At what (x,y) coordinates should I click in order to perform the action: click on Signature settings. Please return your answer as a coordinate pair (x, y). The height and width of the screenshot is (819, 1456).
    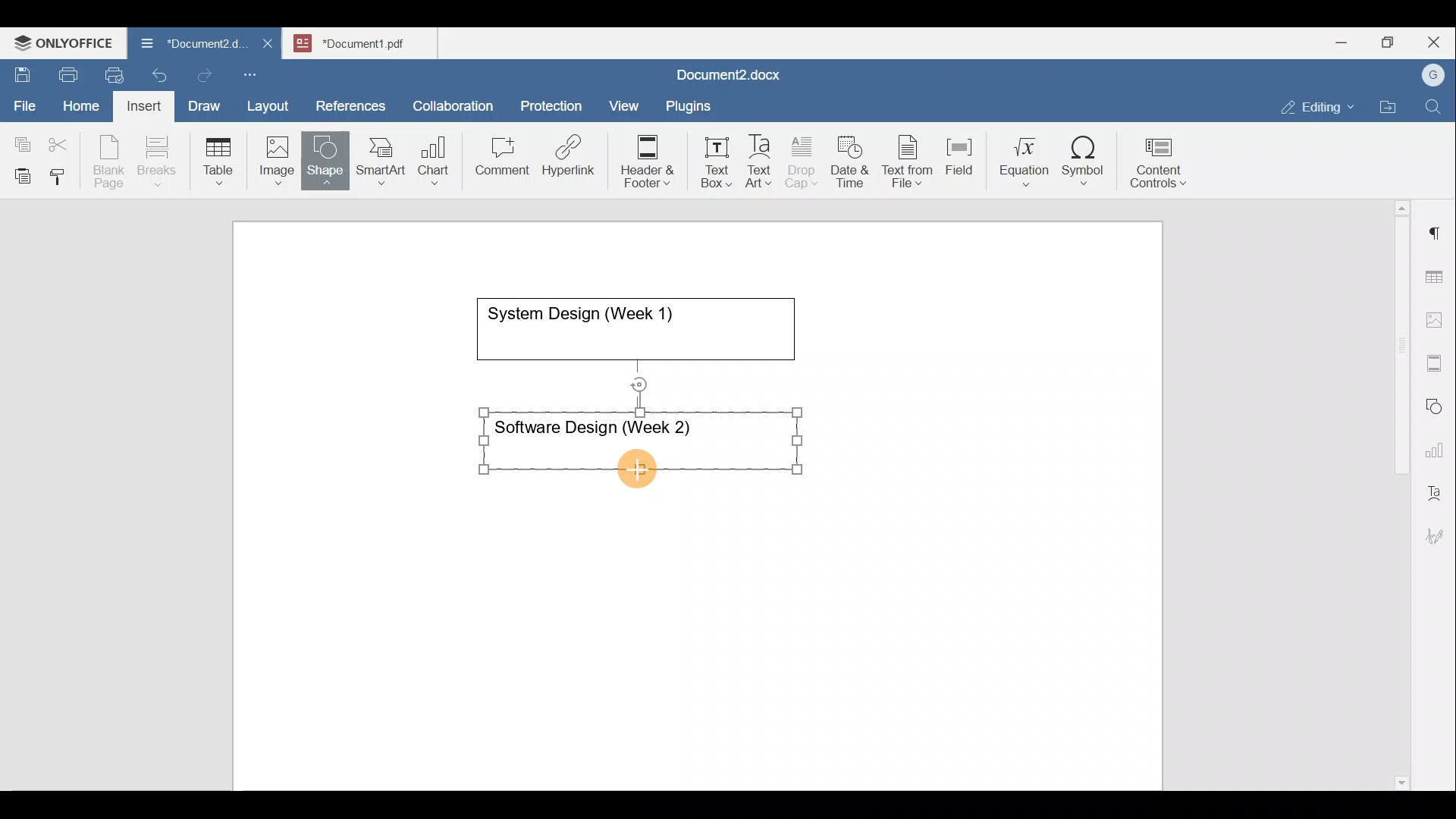
    Looking at the image, I should click on (1439, 531).